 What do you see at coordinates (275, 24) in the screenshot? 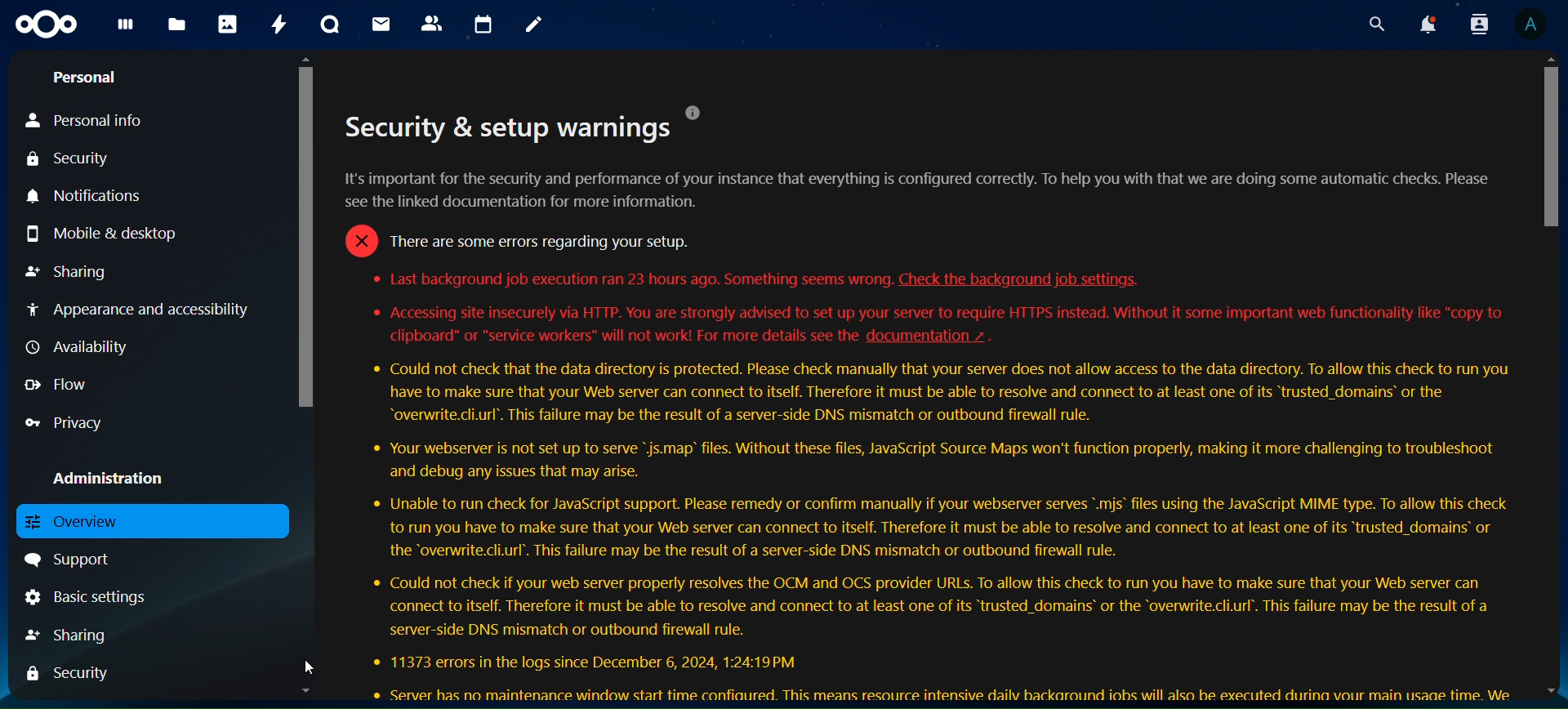
I see `activity` at bounding box center [275, 24].